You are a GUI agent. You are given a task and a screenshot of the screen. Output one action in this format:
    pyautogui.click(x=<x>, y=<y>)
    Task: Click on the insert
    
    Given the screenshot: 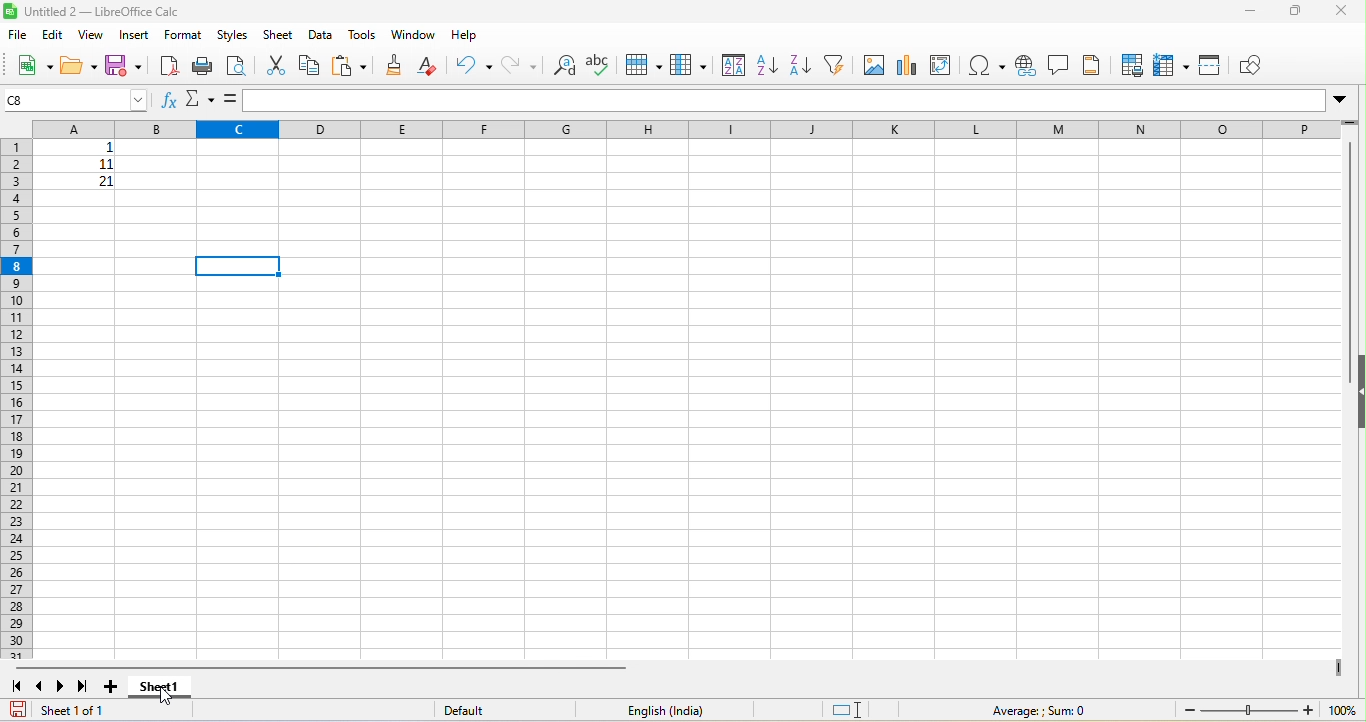 What is the action you would take?
    pyautogui.click(x=135, y=35)
    